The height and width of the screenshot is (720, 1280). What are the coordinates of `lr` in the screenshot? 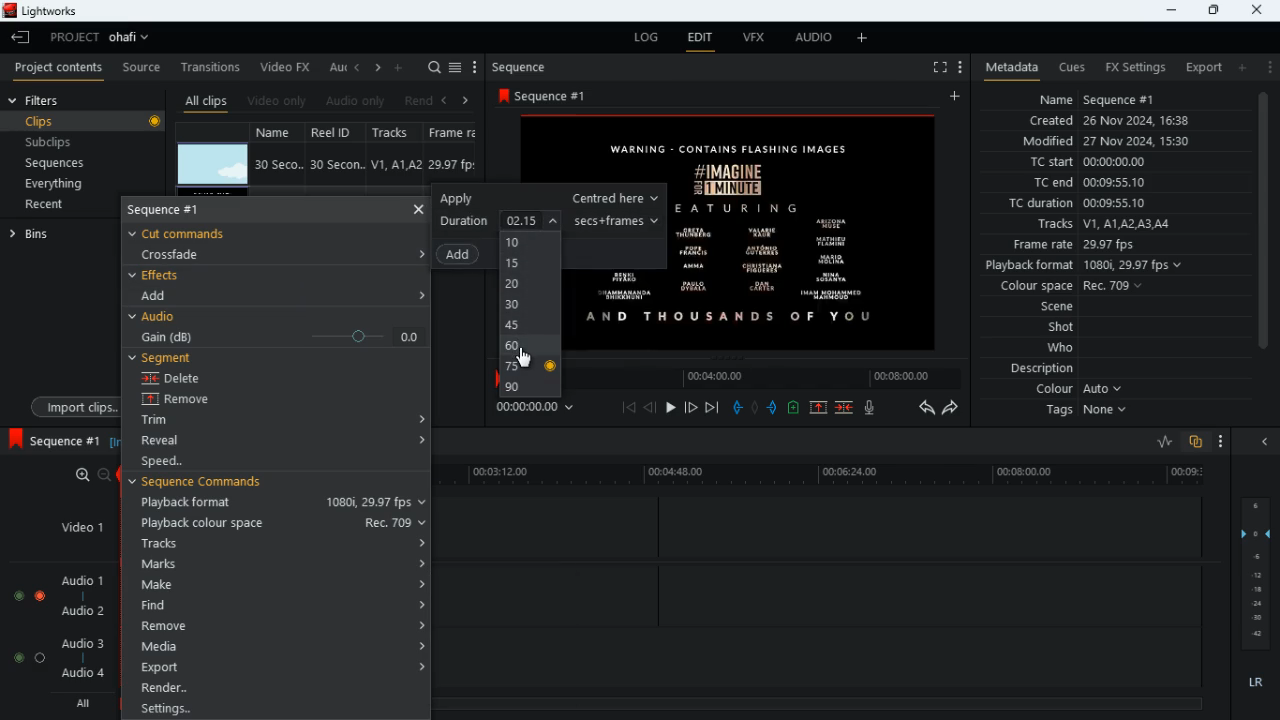 It's located at (1258, 685).